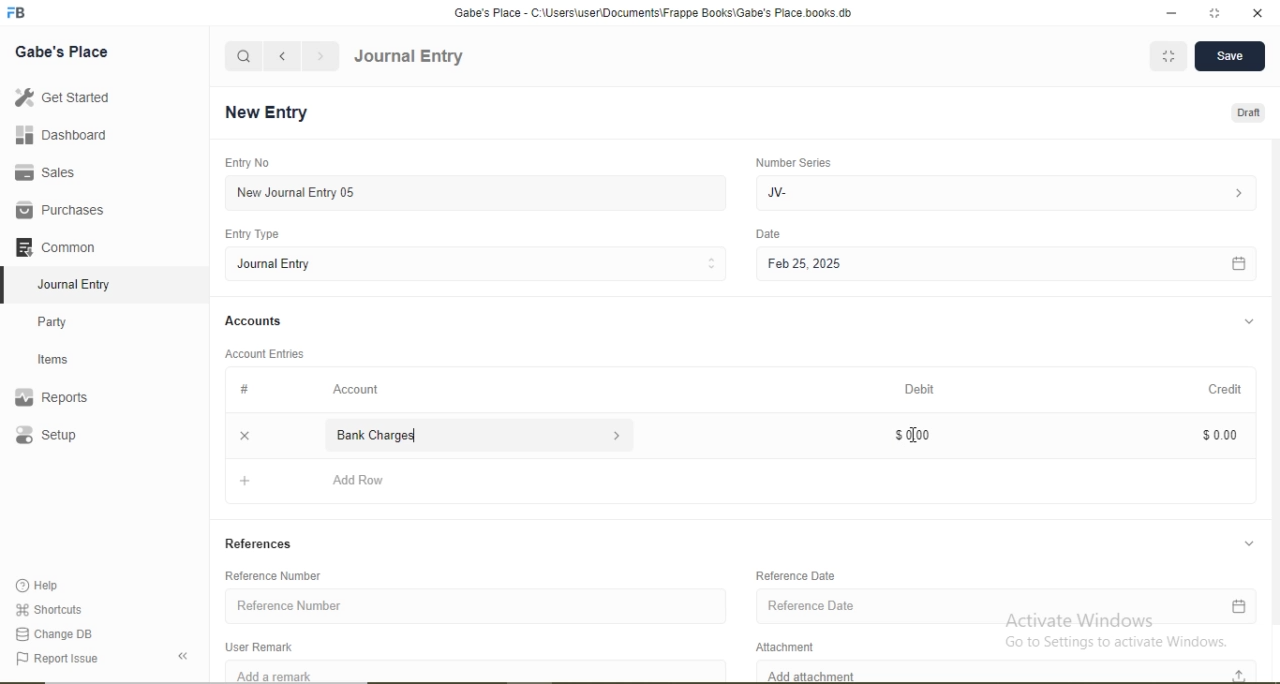  What do you see at coordinates (476, 671) in the screenshot?
I see `Add a remark` at bounding box center [476, 671].